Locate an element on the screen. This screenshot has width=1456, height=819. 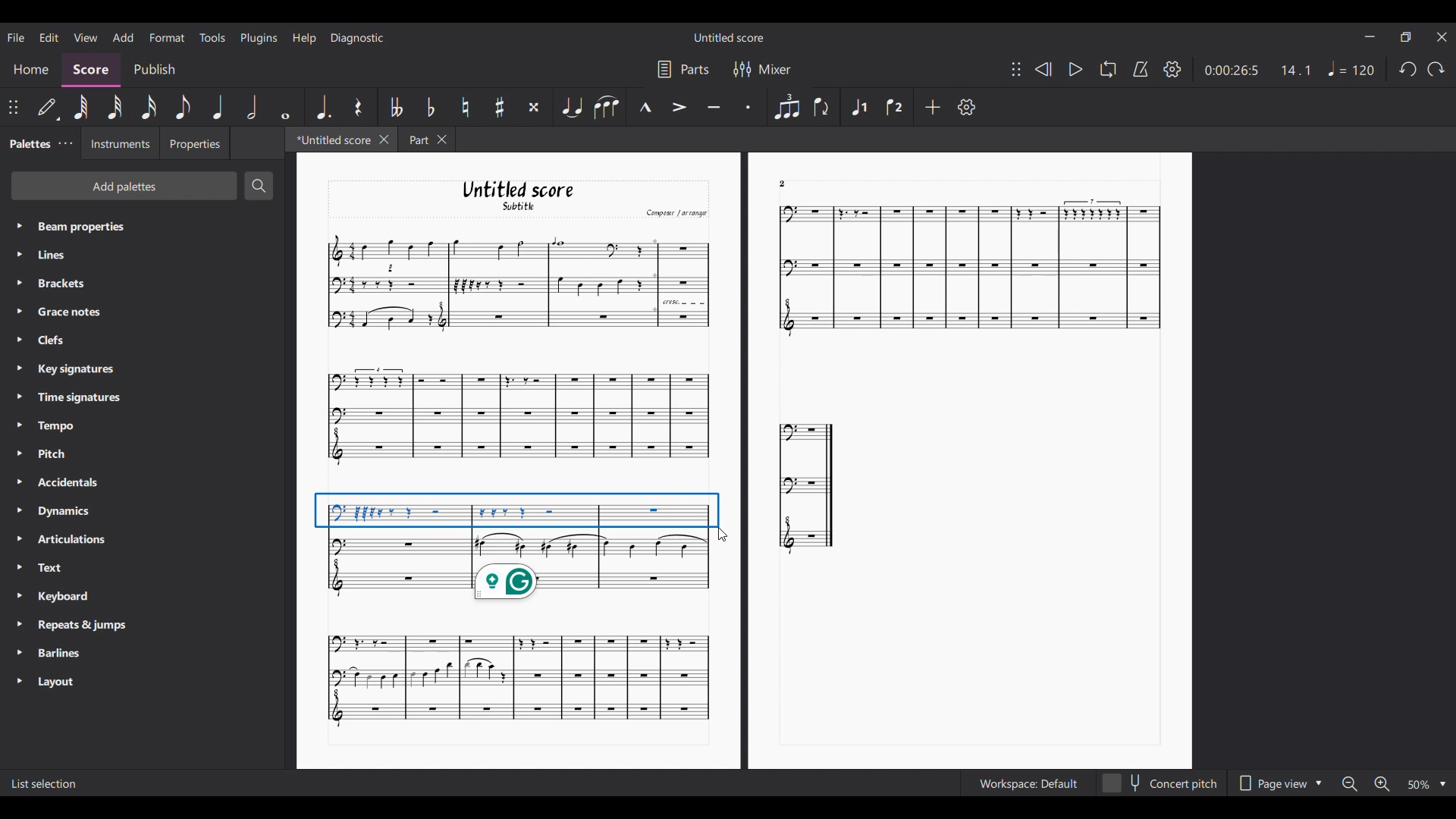
Close current tab is located at coordinates (384, 139).